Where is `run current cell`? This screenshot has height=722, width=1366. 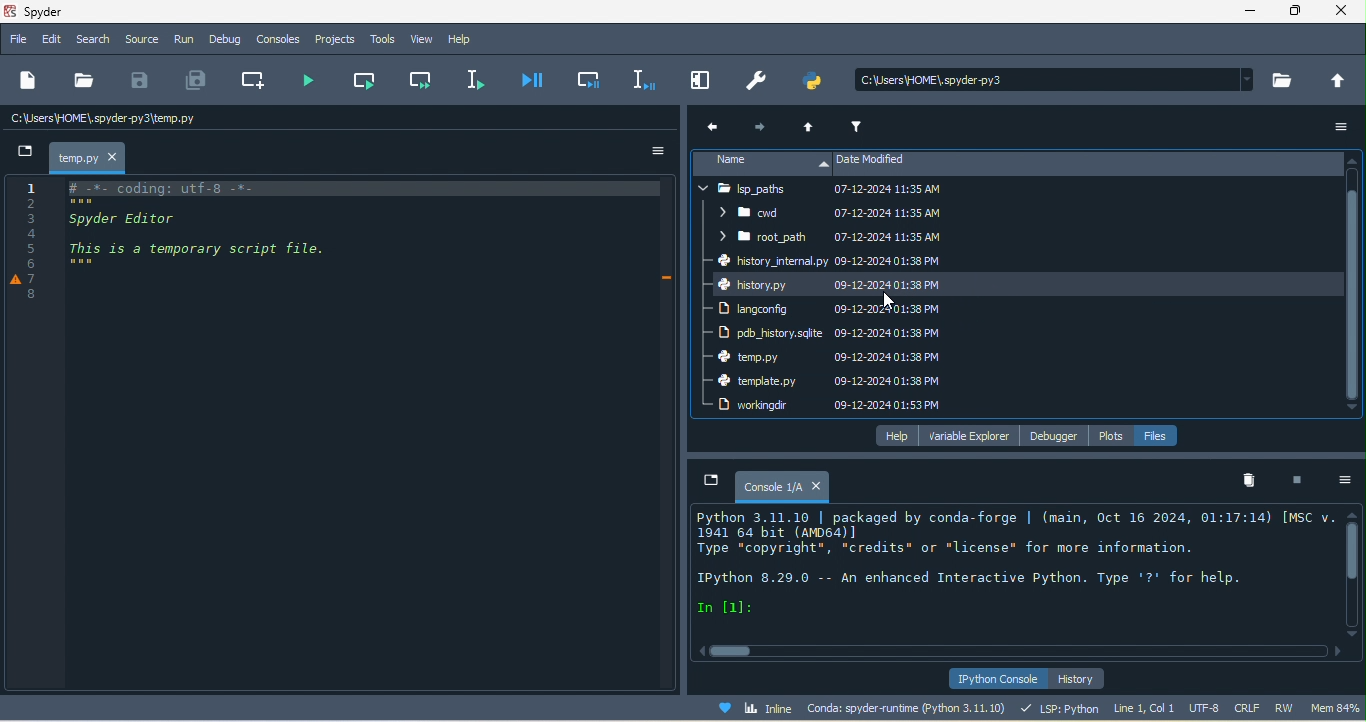
run current cell is located at coordinates (363, 79).